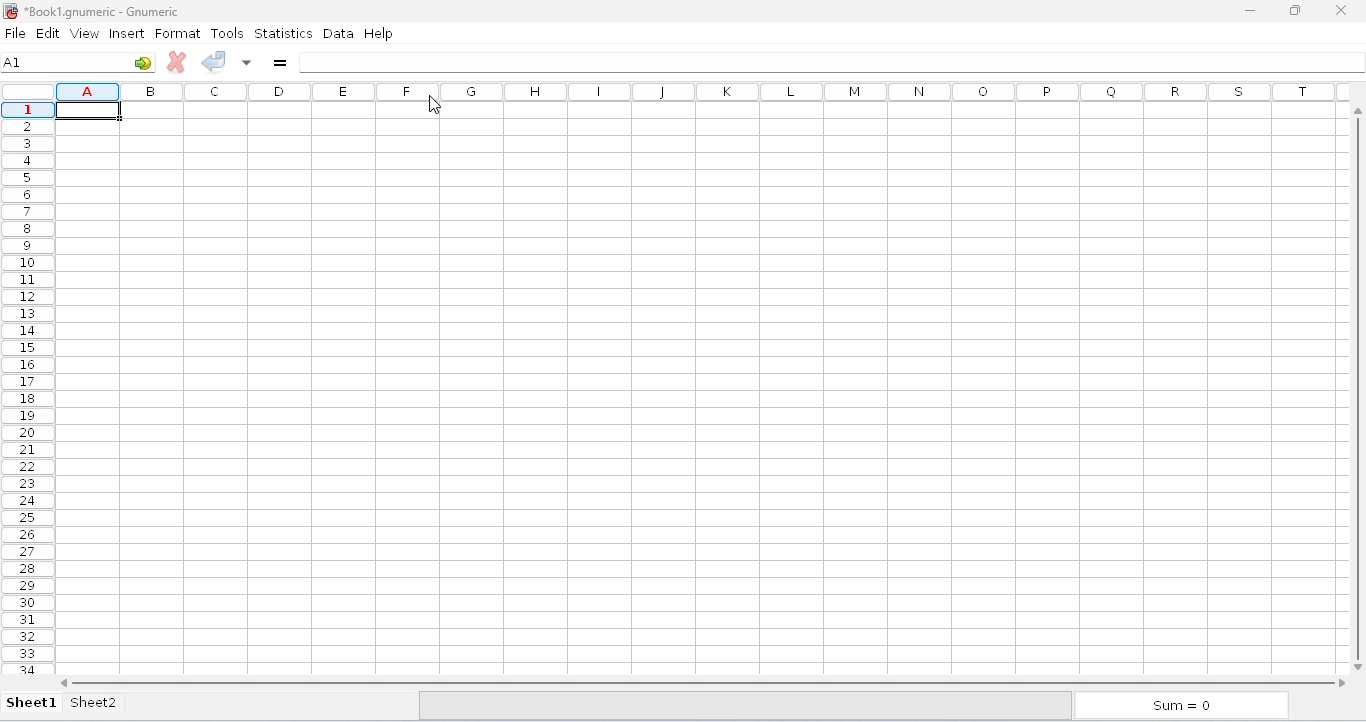 Image resolution: width=1366 pixels, height=722 pixels. I want to click on data, so click(339, 33).